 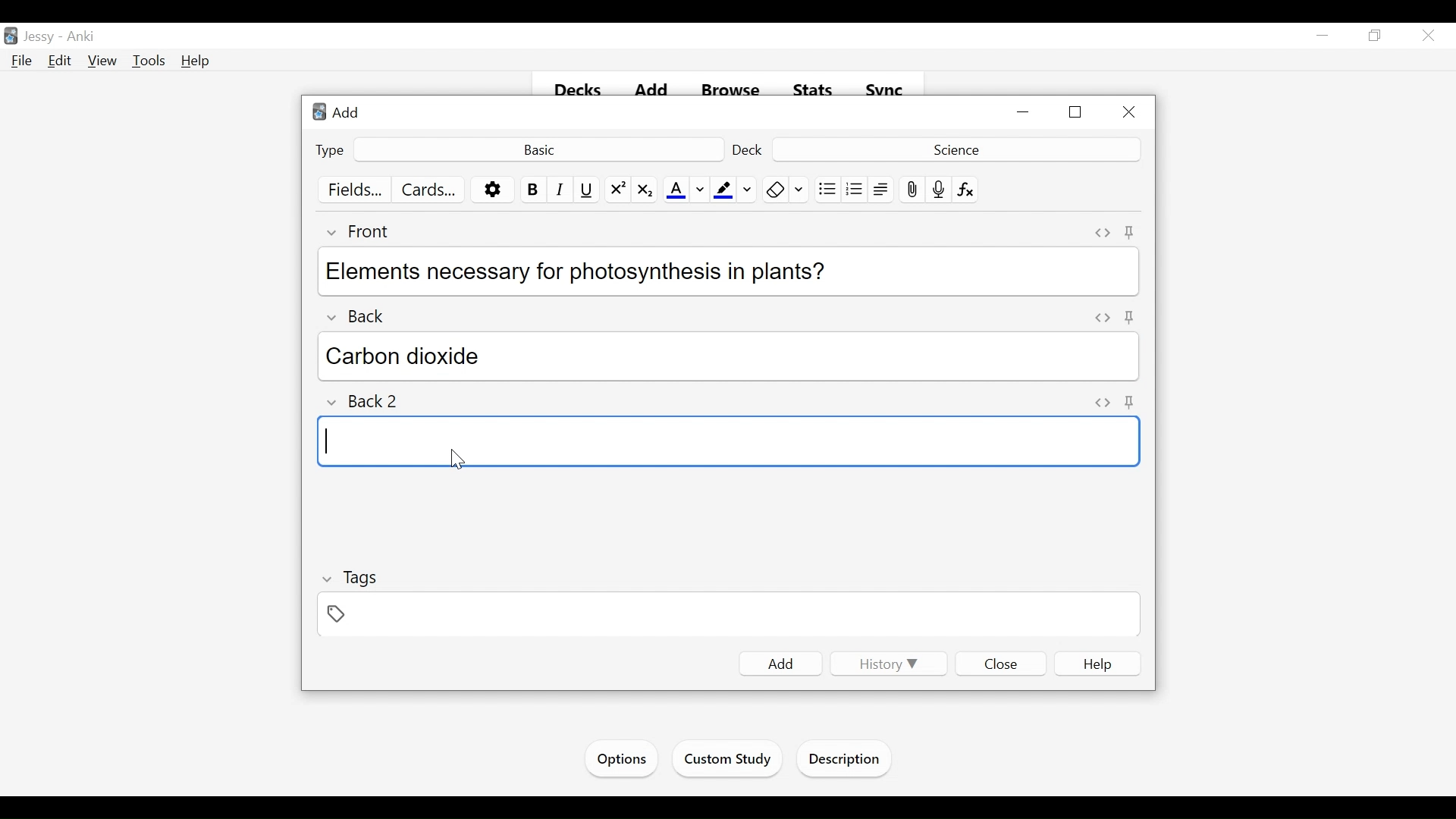 What do you see at coordinates (1077, 113) in the screenshot?
I see `Restore` at bounding box center [1077, 113].